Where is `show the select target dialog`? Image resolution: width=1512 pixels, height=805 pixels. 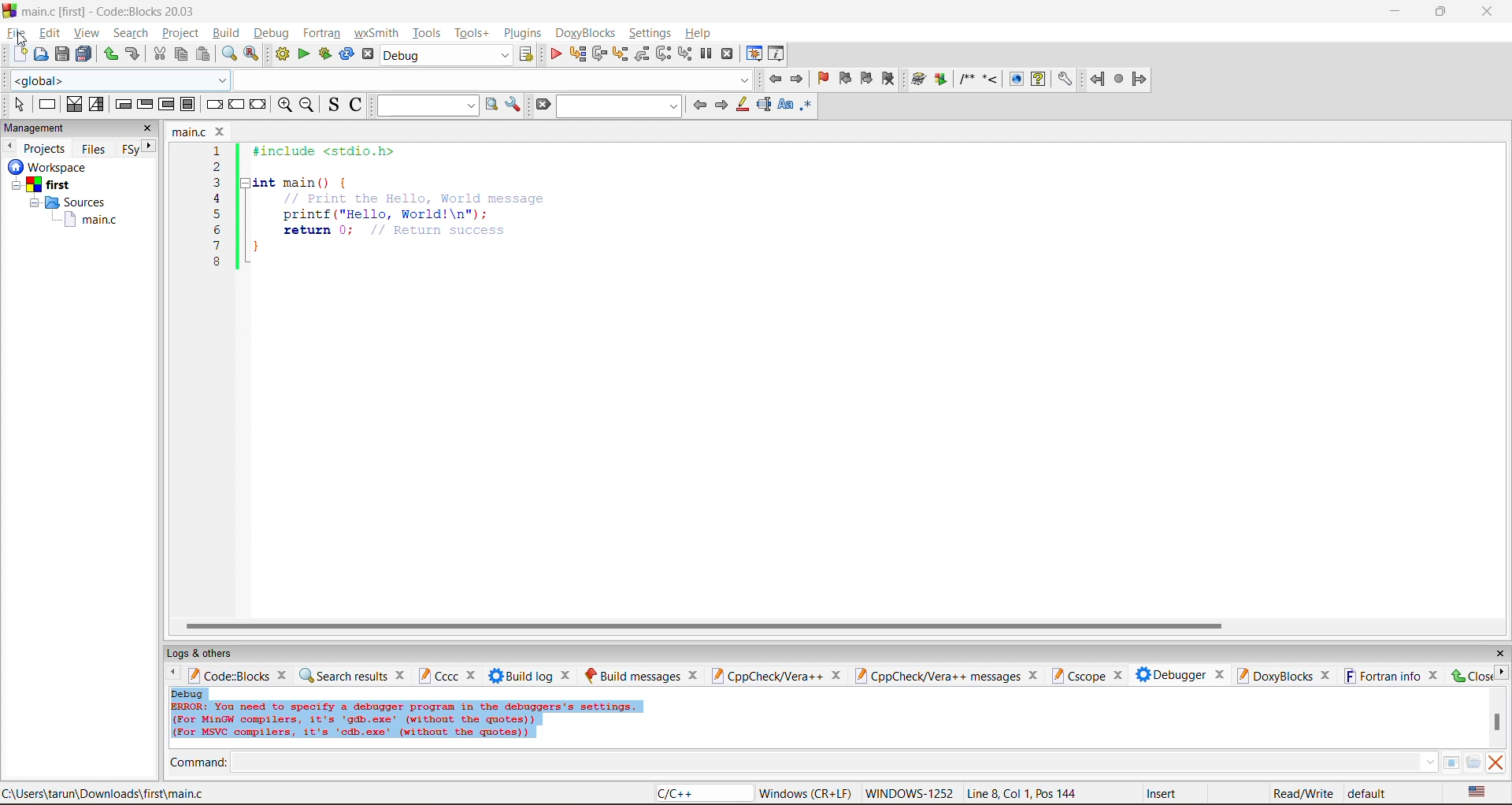 show the select target dialog is located at coordinates (528, 54).